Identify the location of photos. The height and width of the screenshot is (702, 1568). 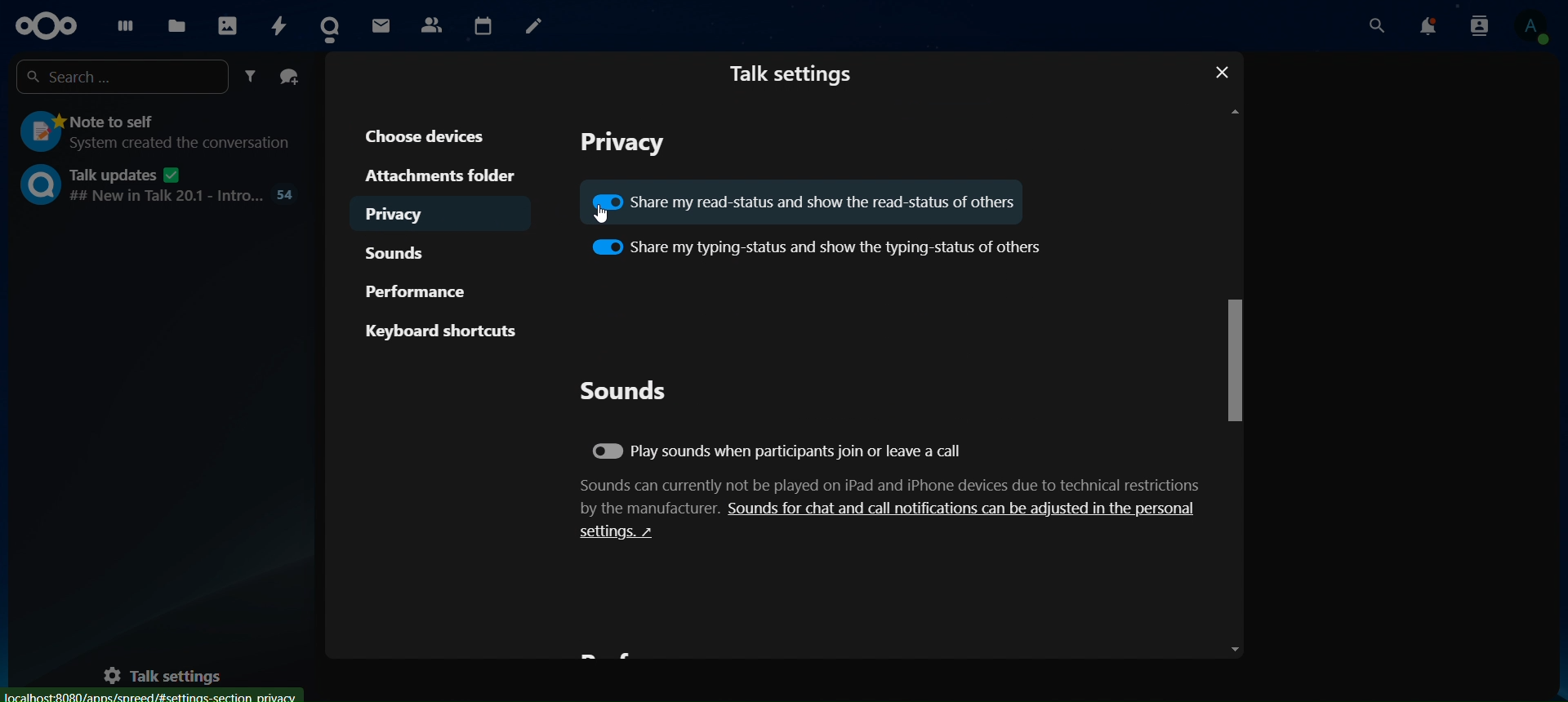
(226, 24).